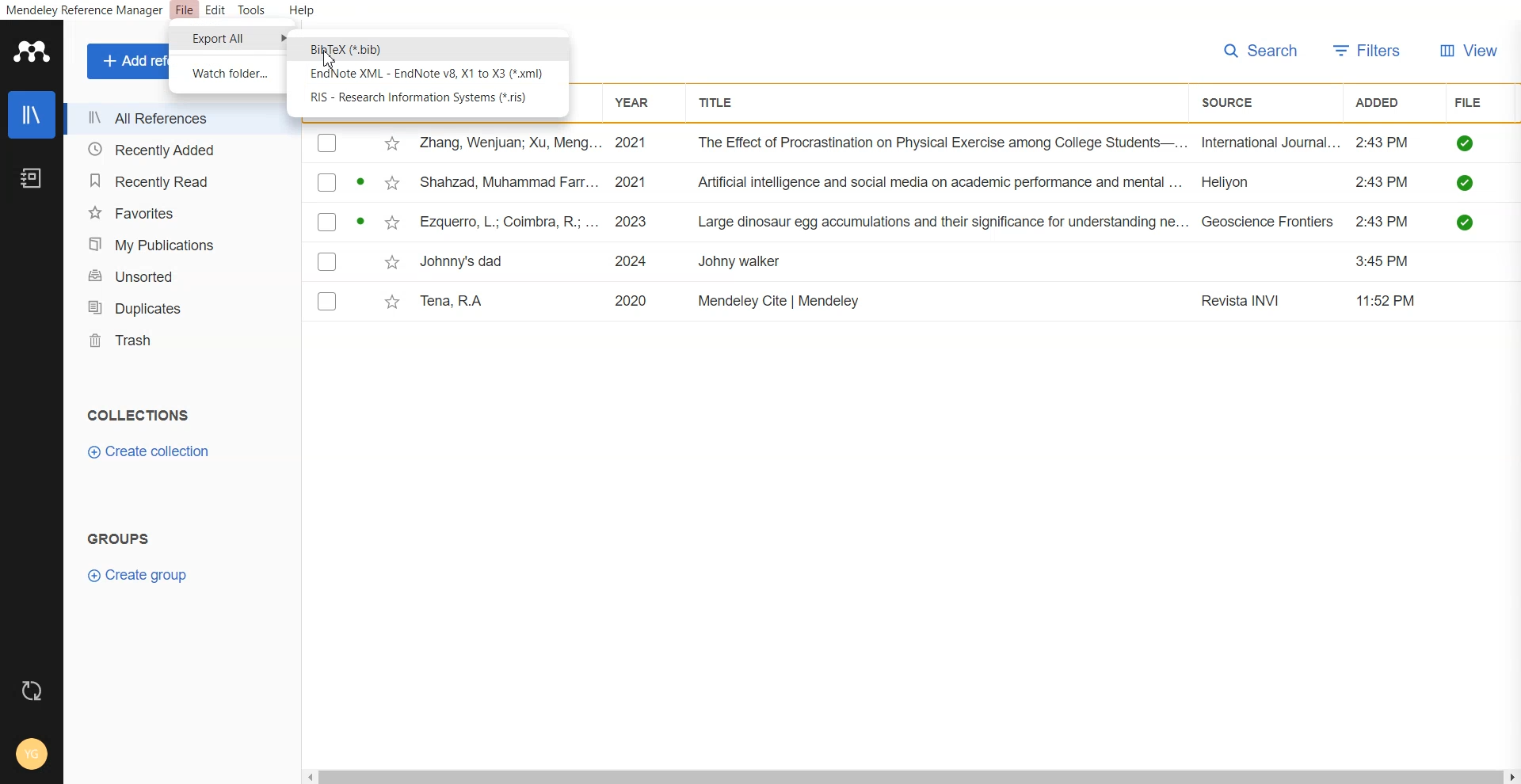  What do you see at coordinates (781, 300) in the screenshot?
I see `Mendeley Cite | Mendeley` at bounding box center [781, 300].